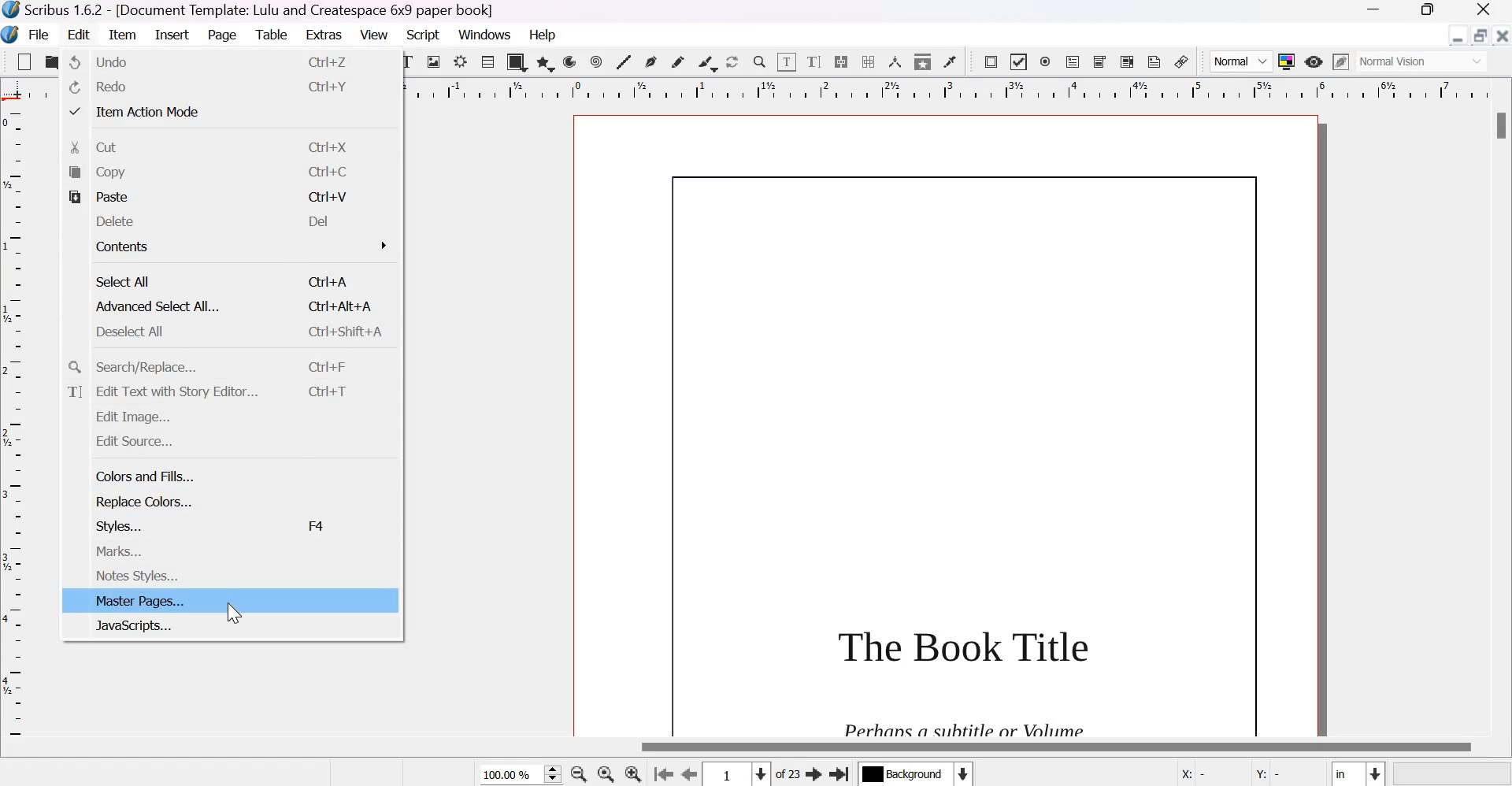  I want to click on Go to the previous page, so click(690, 773).